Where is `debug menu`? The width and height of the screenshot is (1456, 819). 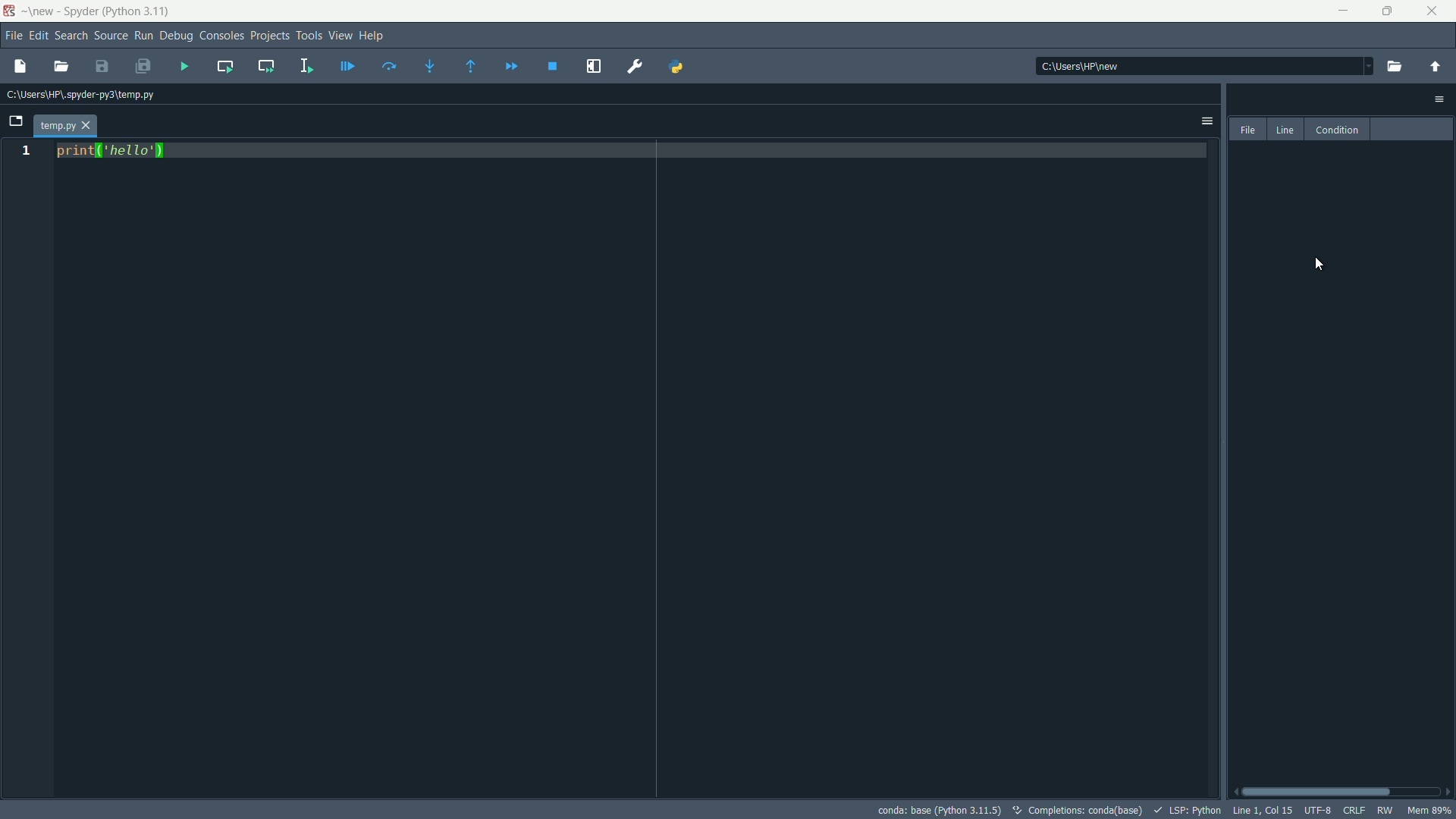
debug menu is located at coordinates (175, 36).